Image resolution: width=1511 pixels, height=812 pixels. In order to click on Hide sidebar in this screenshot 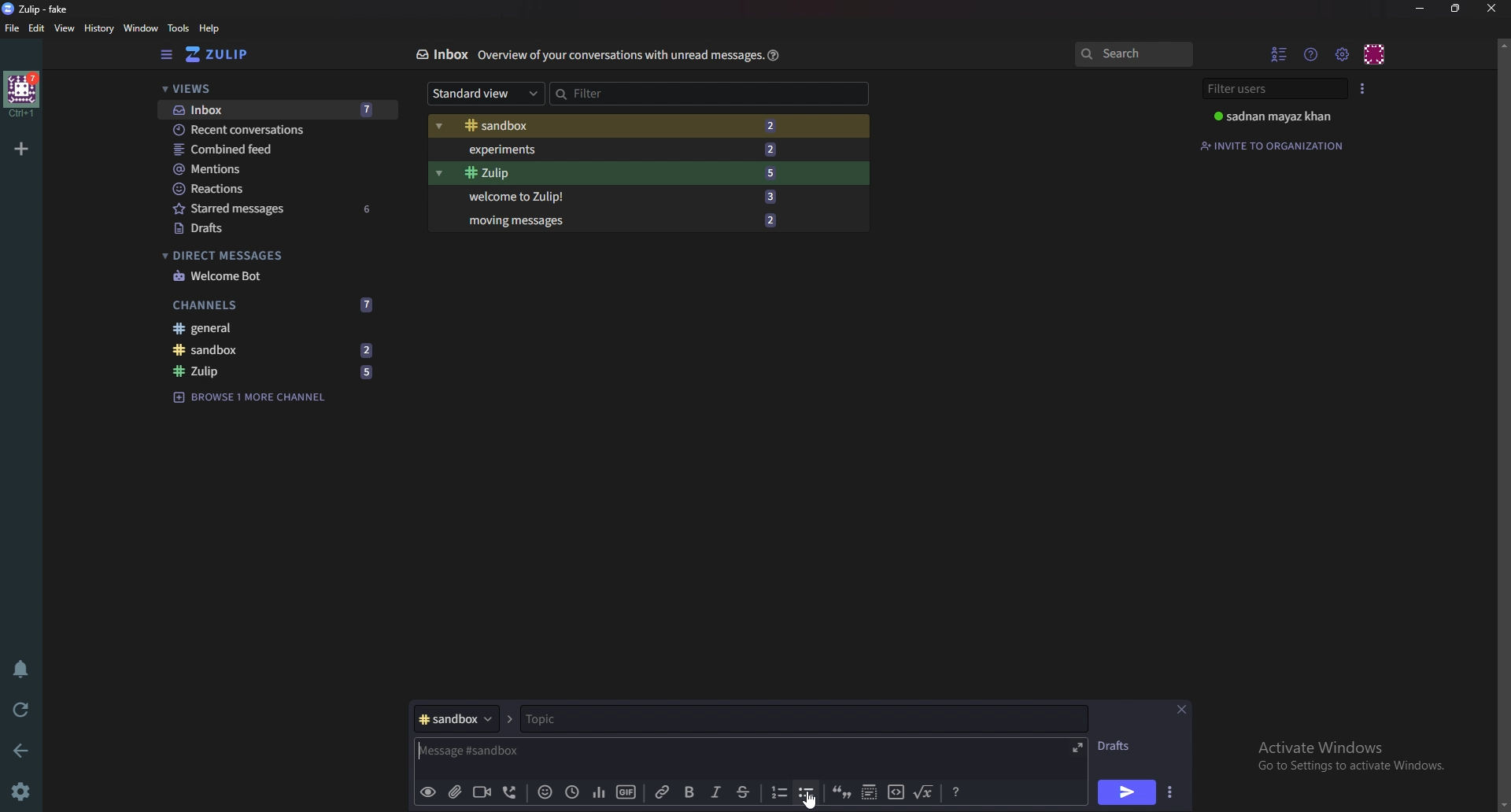, I will do `click(168, 54)`.